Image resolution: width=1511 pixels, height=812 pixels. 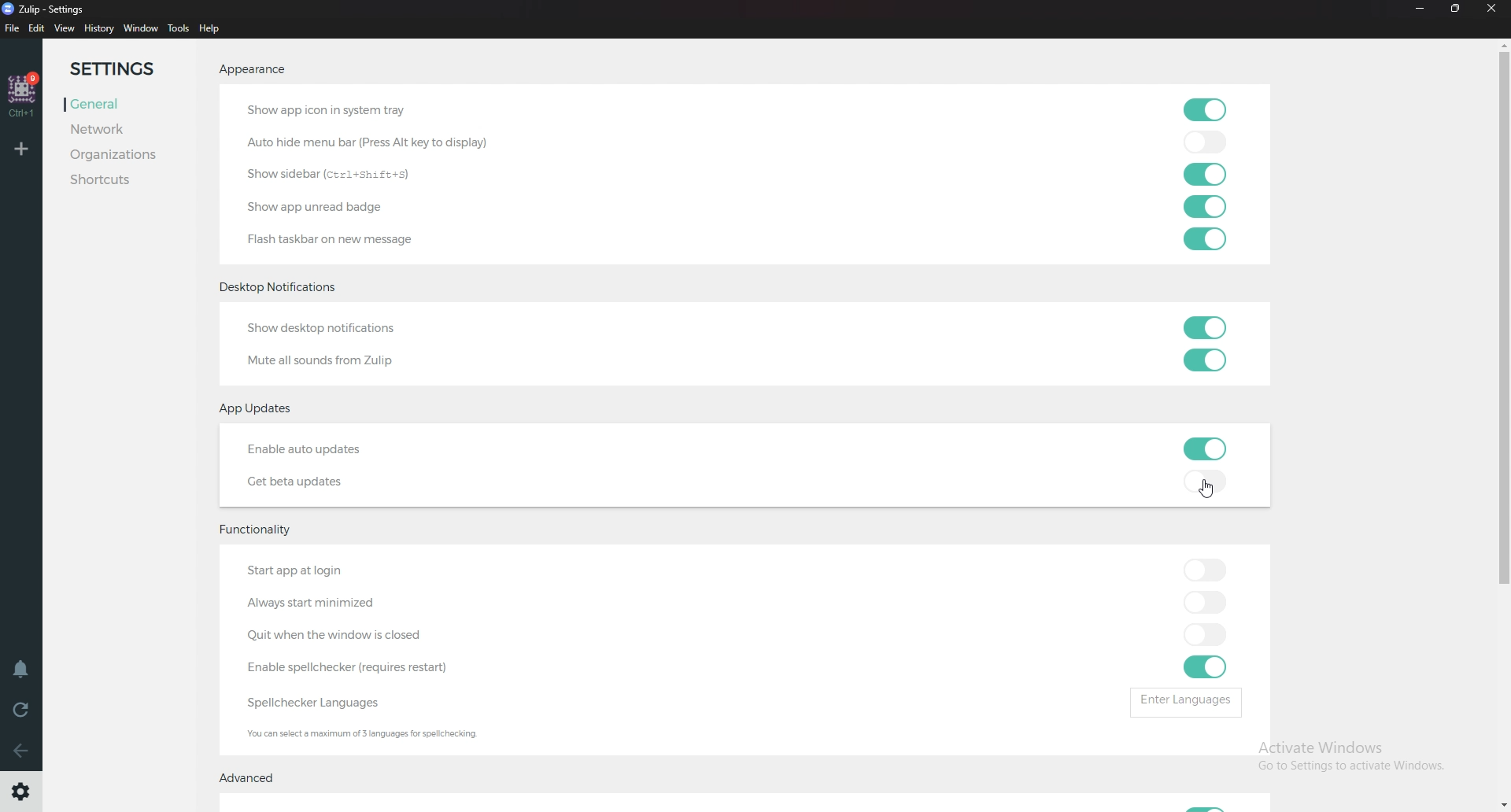 I want to click on Show app icon in system tray, so click(x=342, y=110).